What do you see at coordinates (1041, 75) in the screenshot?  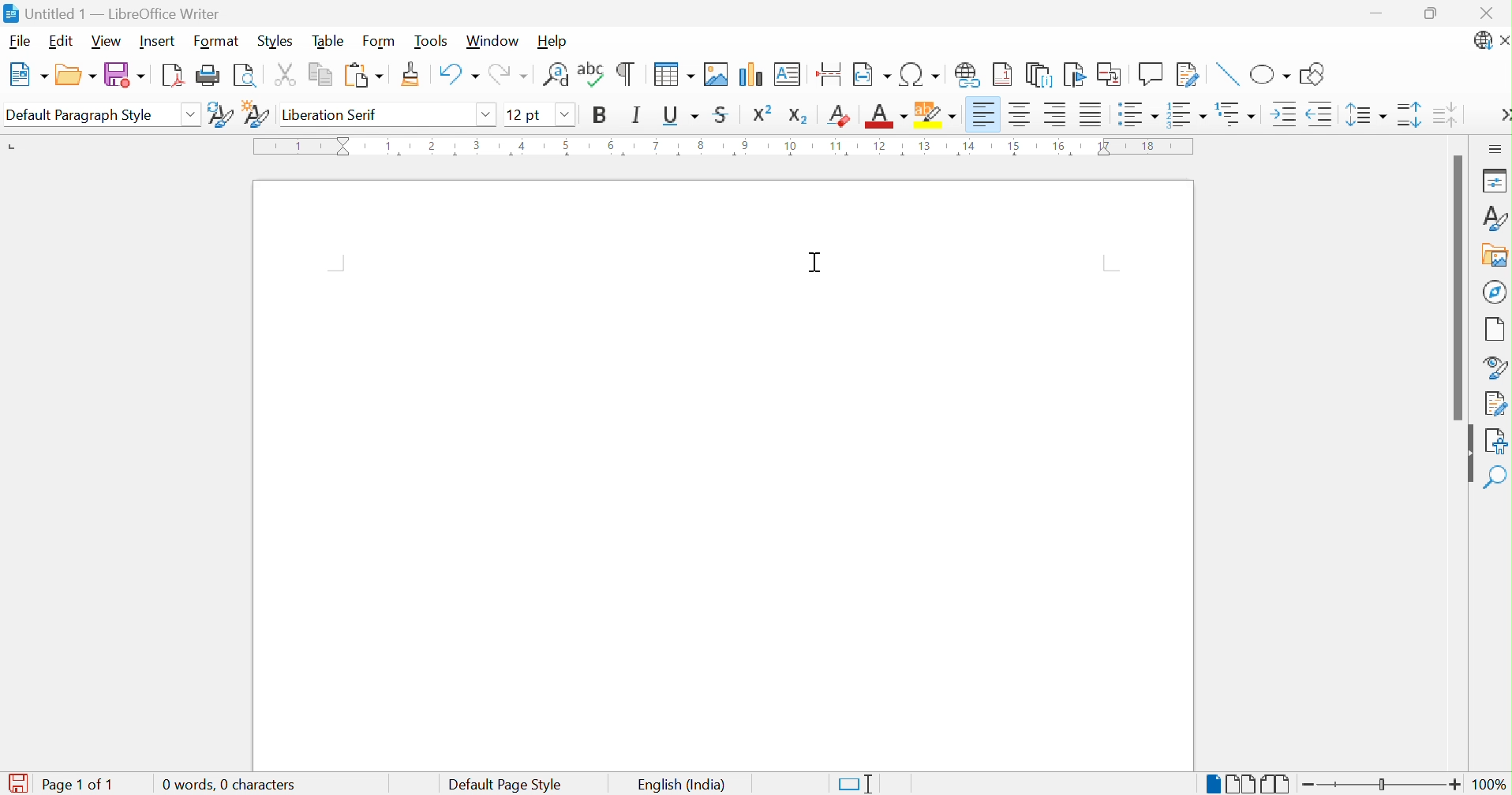 I see `Insert endnote` at bounding box center [1041, 75].